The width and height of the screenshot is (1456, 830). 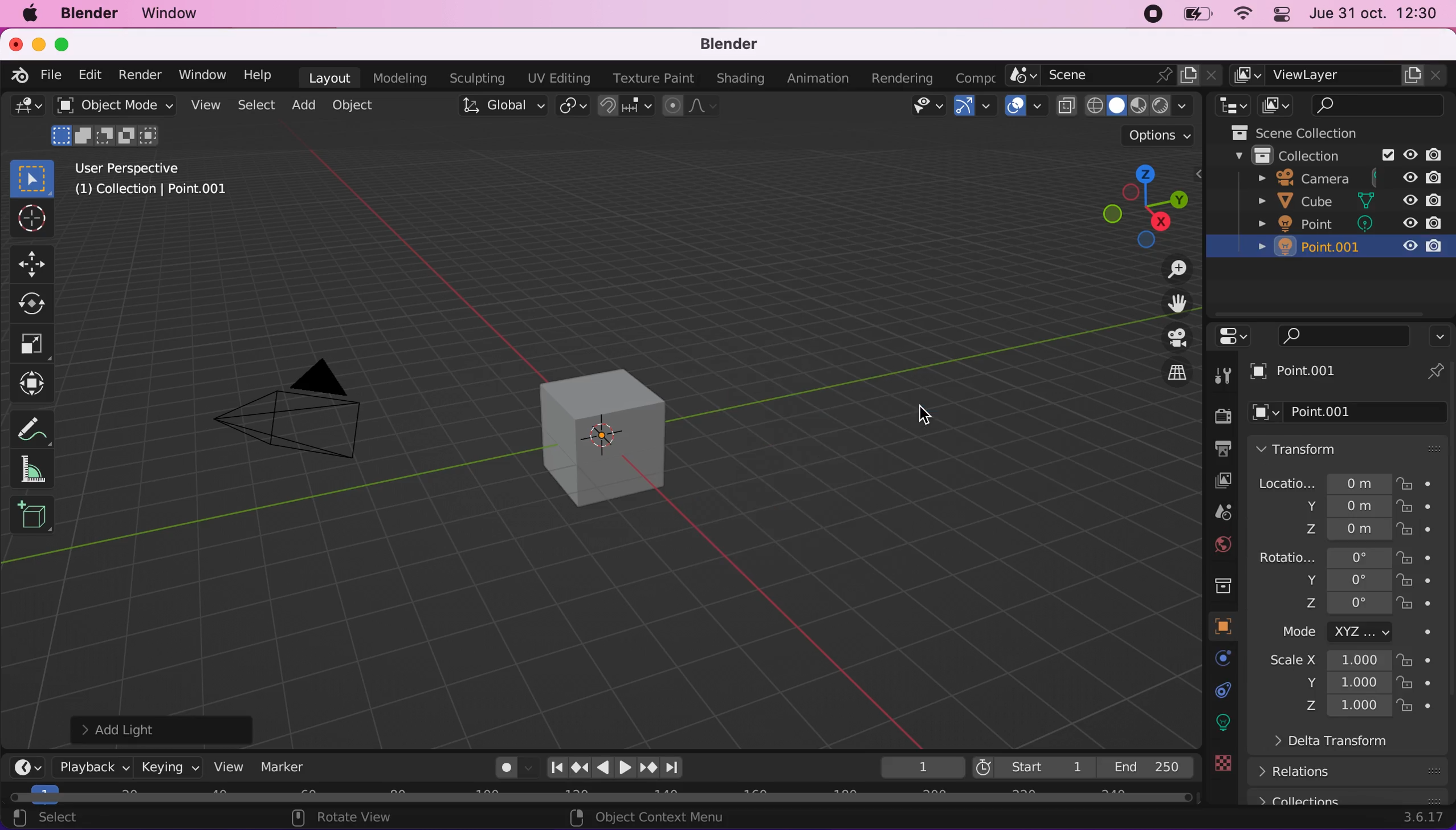 I want to click on Jump to keyframe, so click(x=650, y=768).